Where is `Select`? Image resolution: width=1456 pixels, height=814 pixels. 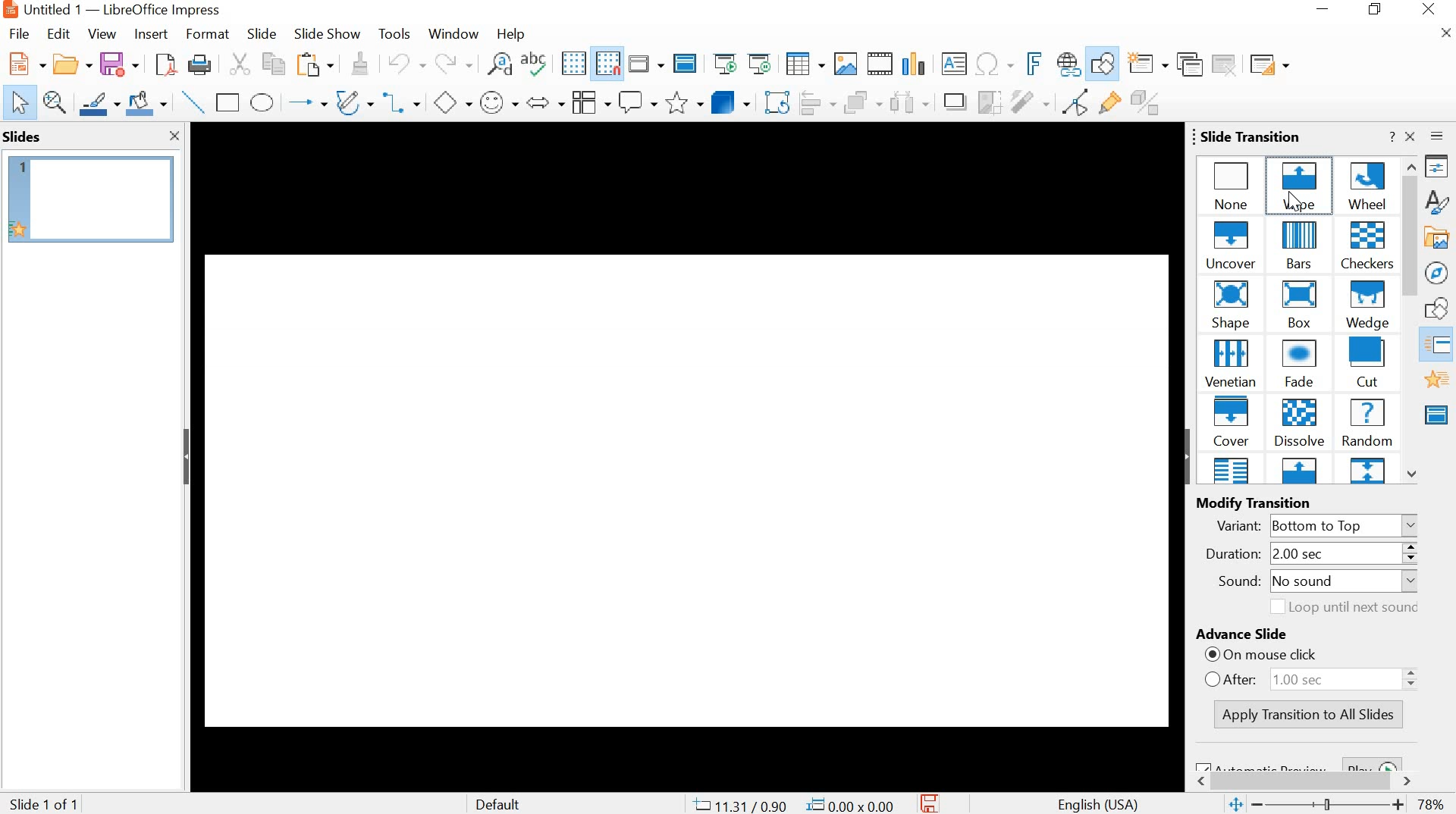
Select is located at coordinates (15, 103).